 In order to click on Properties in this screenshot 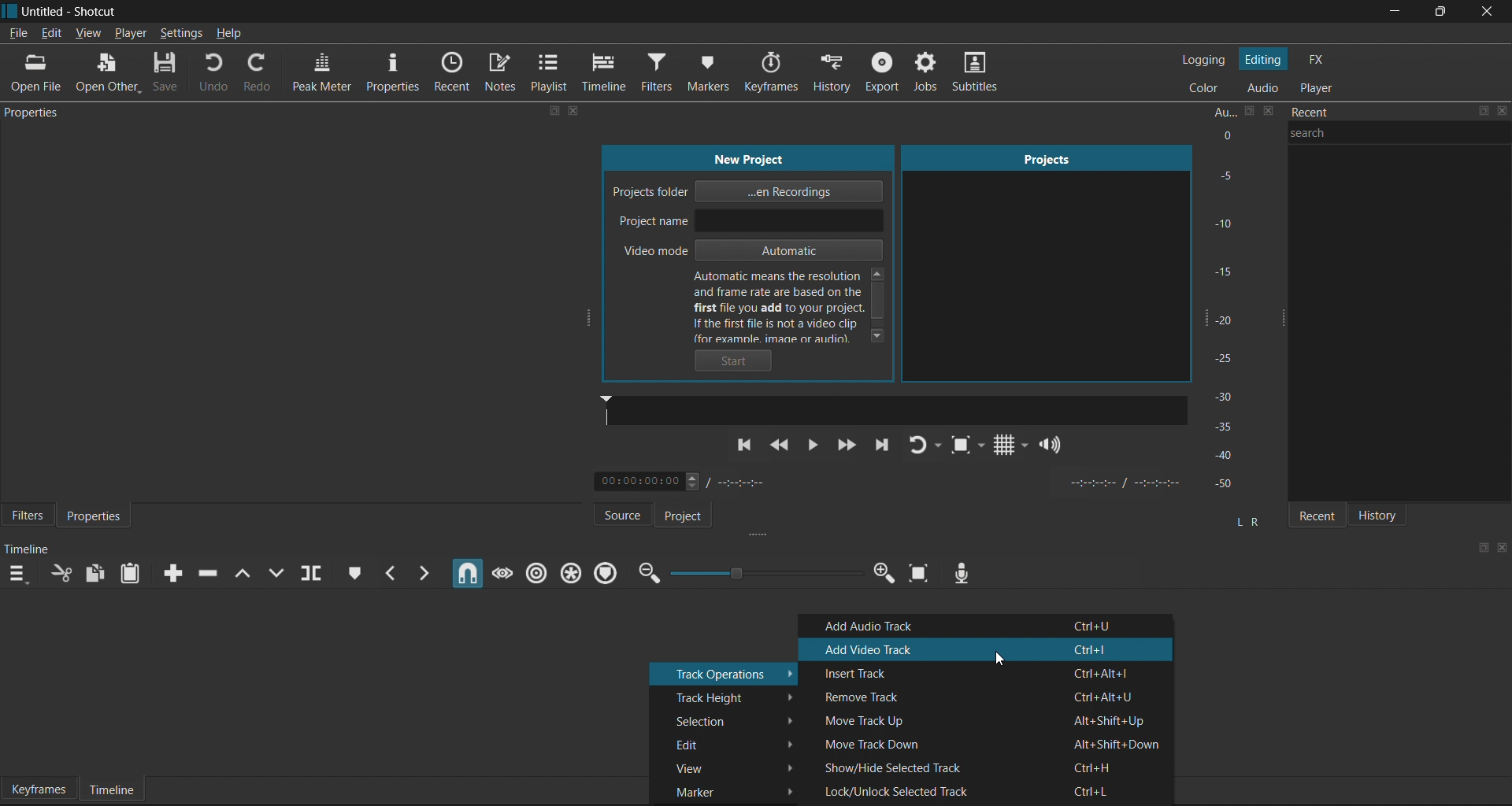, I will do `click(98, 516)`.